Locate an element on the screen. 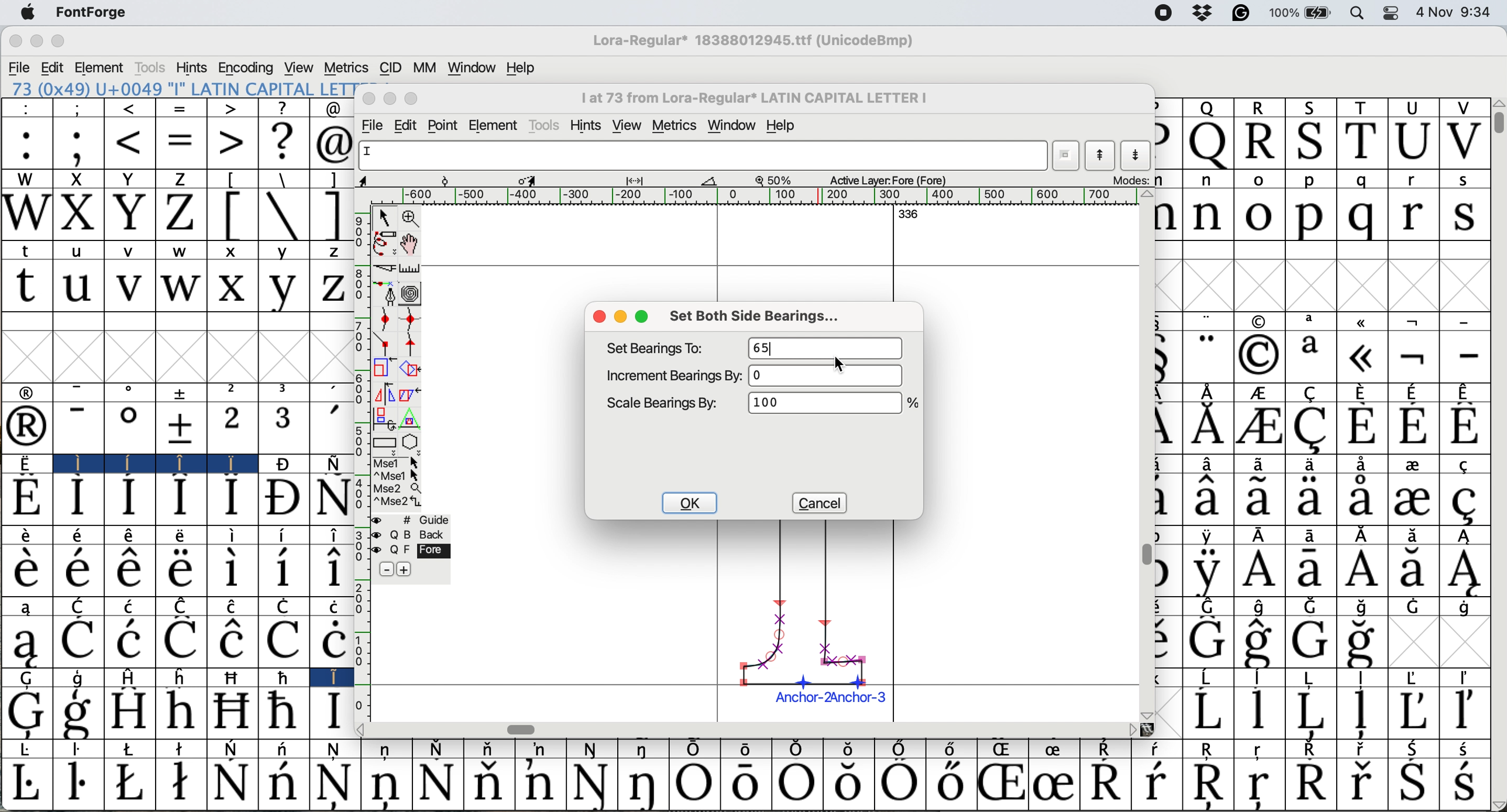  symbol is located at coordinates (29, 391).